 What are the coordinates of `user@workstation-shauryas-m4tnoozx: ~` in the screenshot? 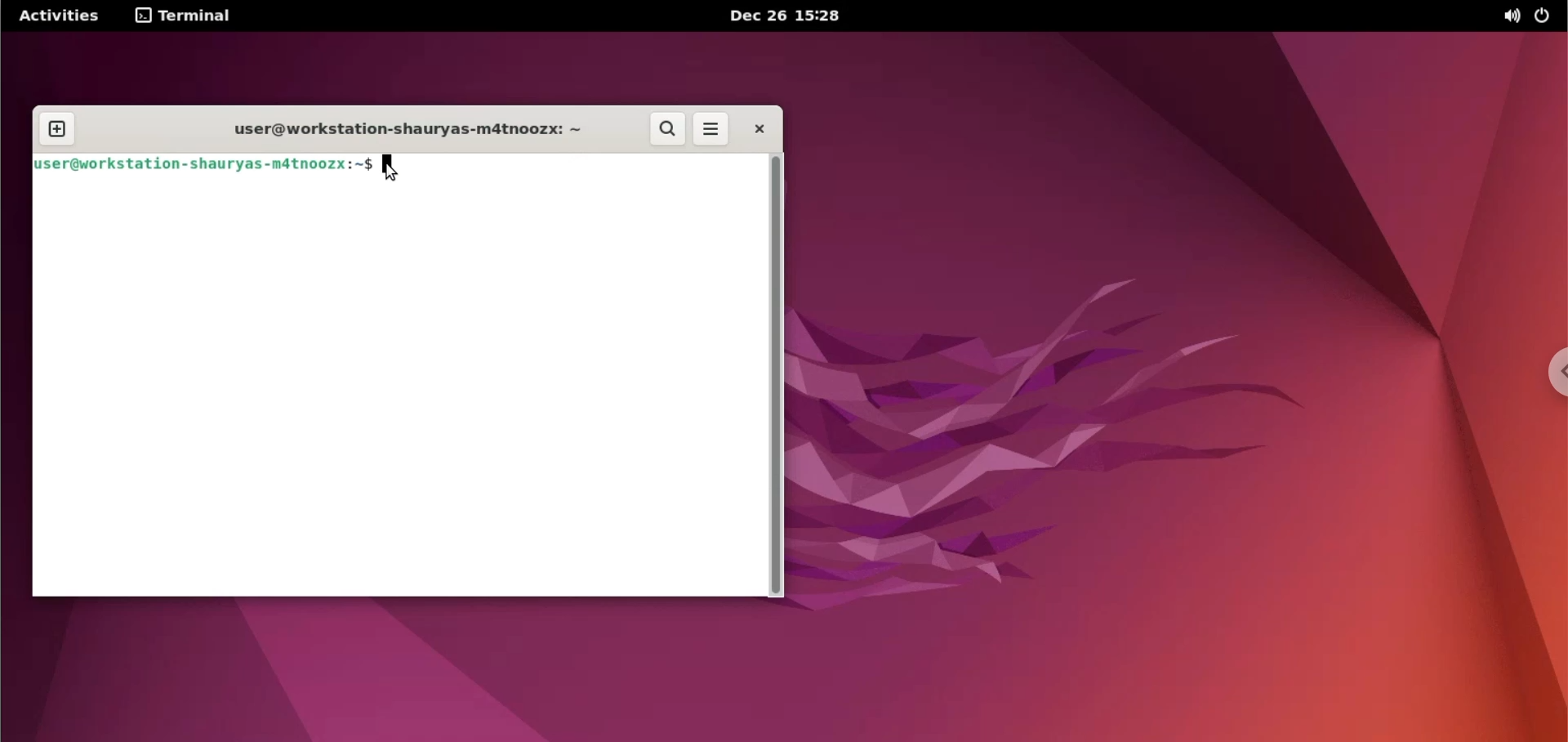 It's located at (407, 131).